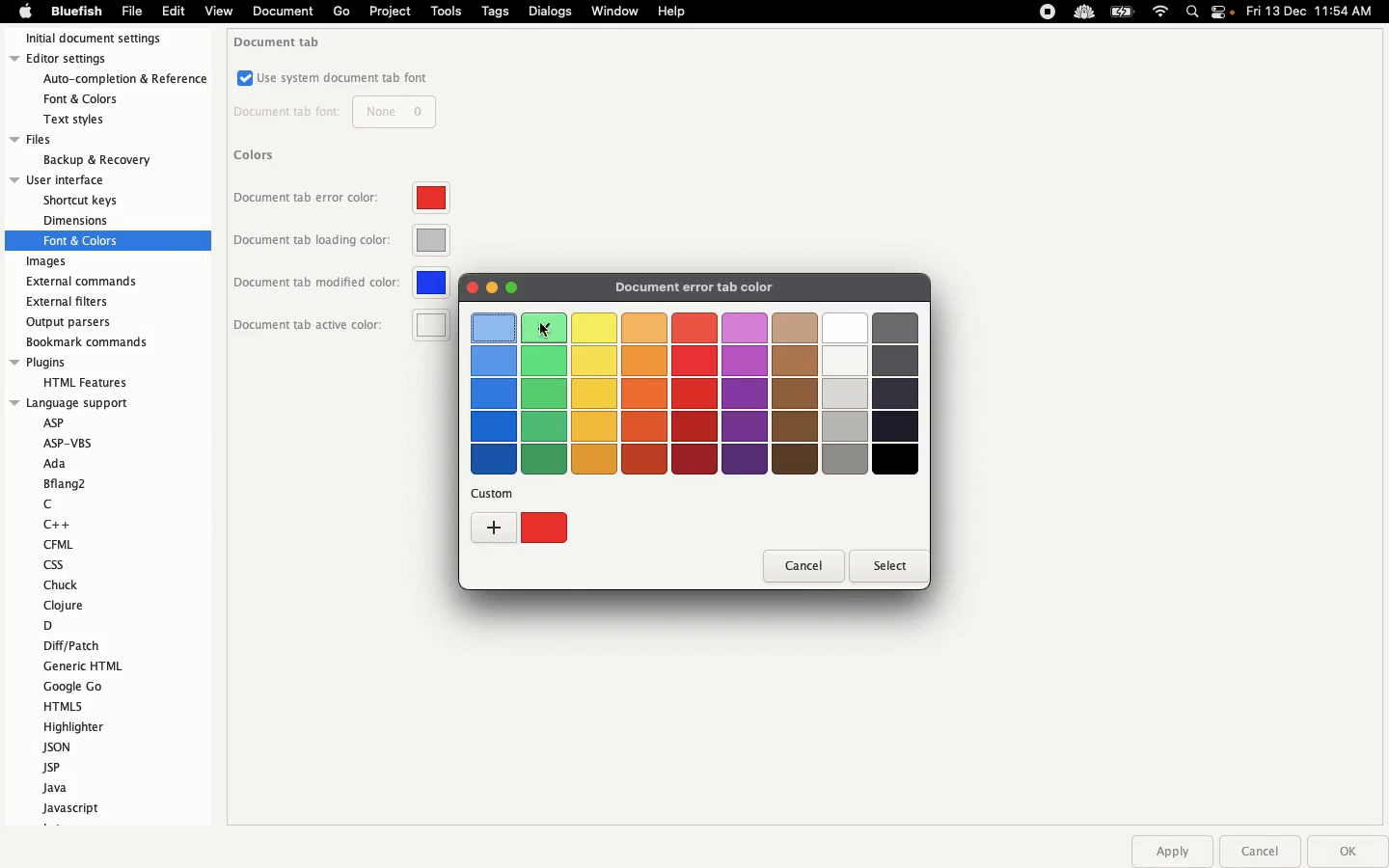 This screenshot has width=1389, height=868. What do you see at coordinates (341, 244) in the screenshot?
I see `Document tab loading color` at bounding box center [341, 244].